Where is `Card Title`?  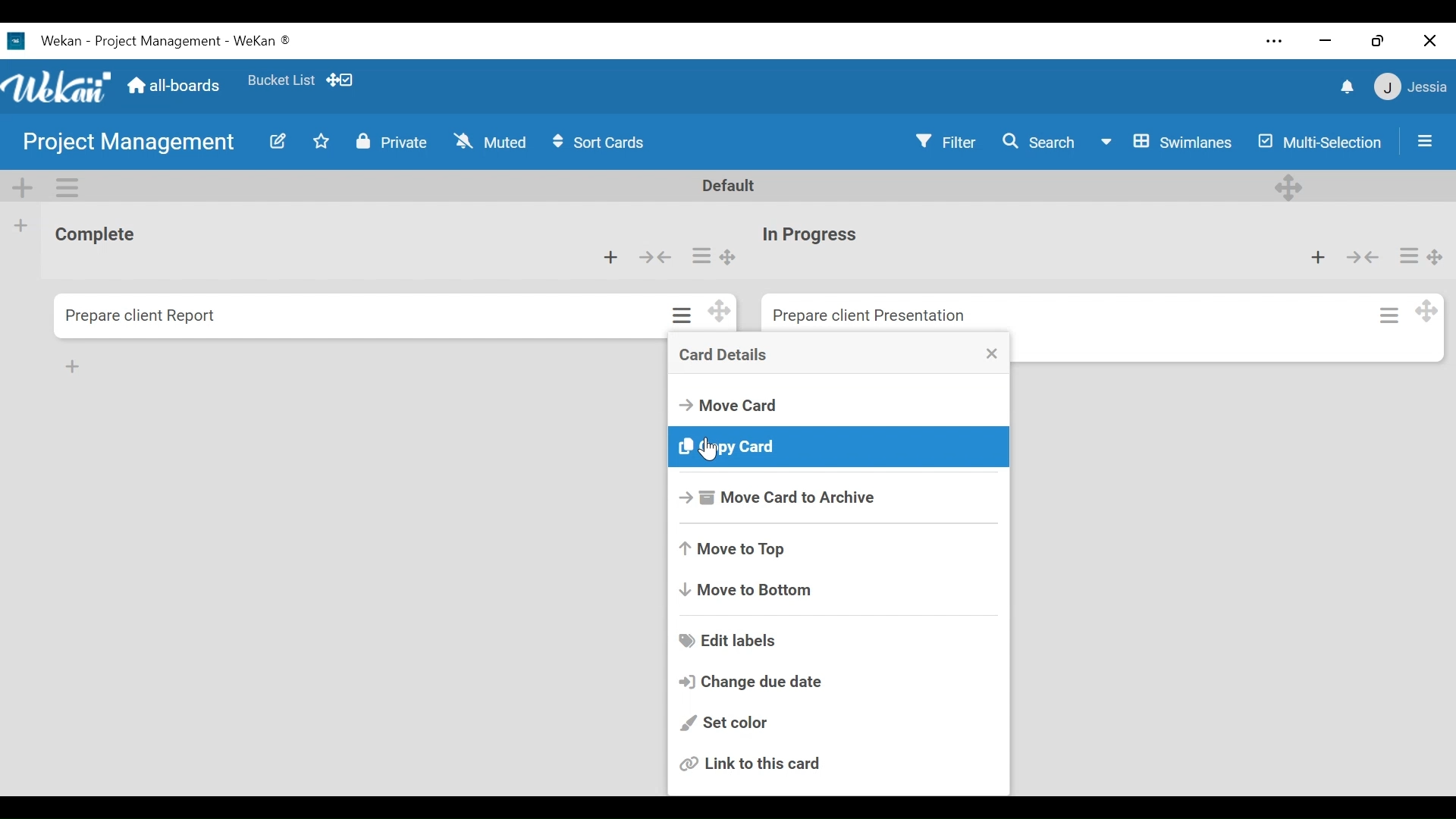
Card Title is located at coordinates (816, 235).